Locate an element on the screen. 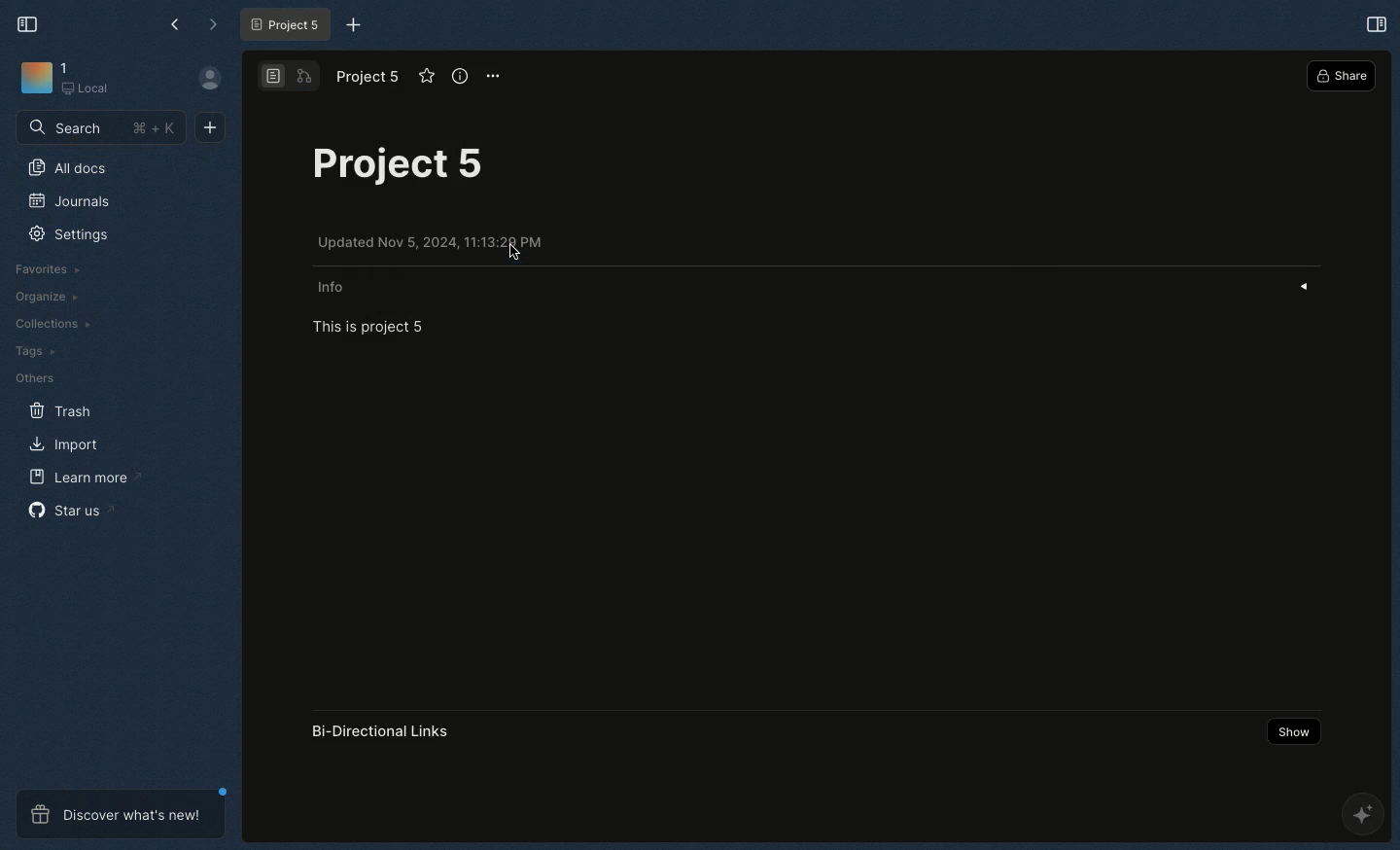  Show is located at coordinates (1298, 733).